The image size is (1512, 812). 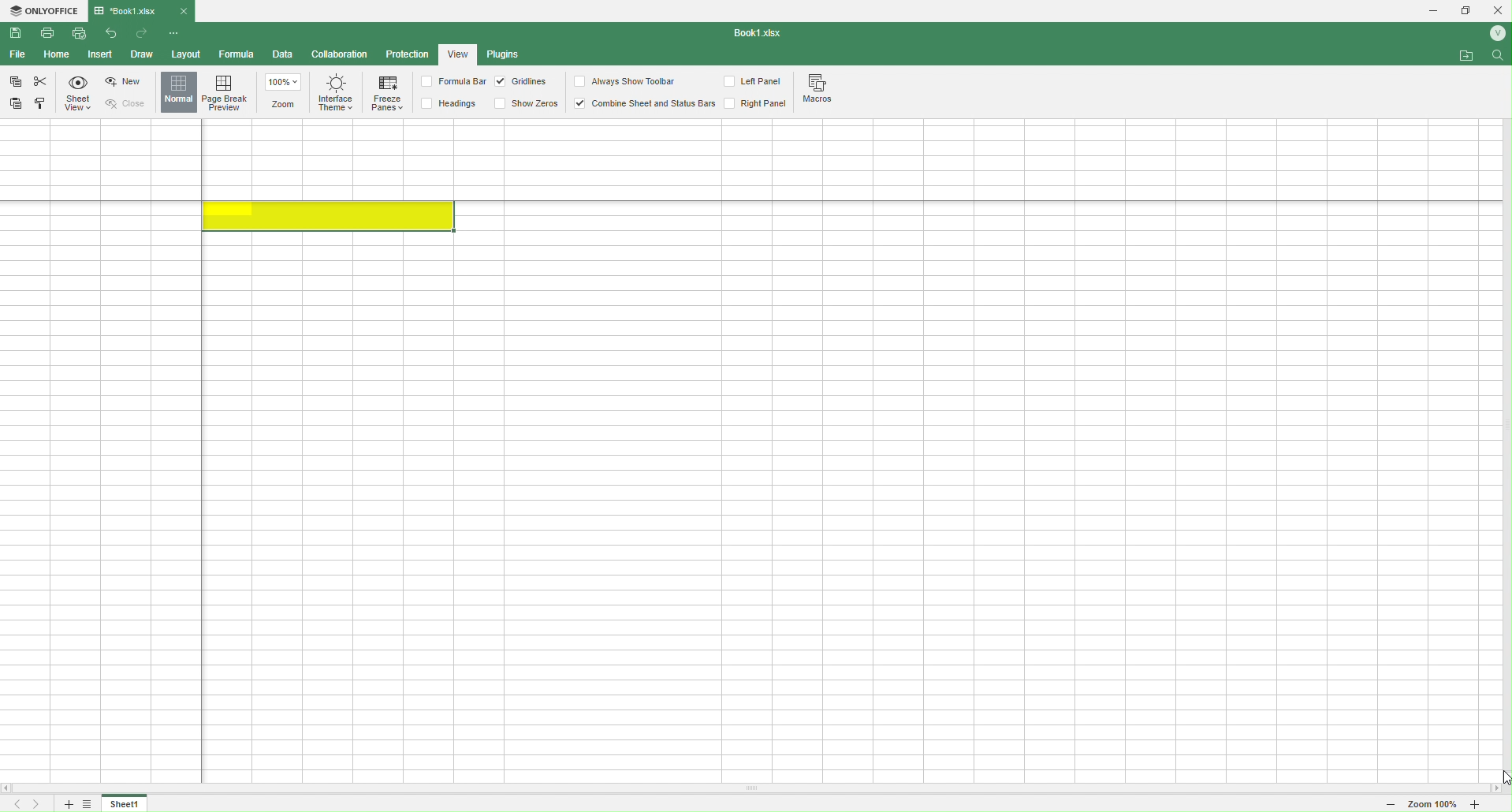 I want to click on Copy Style, so click(x=41, y=106).